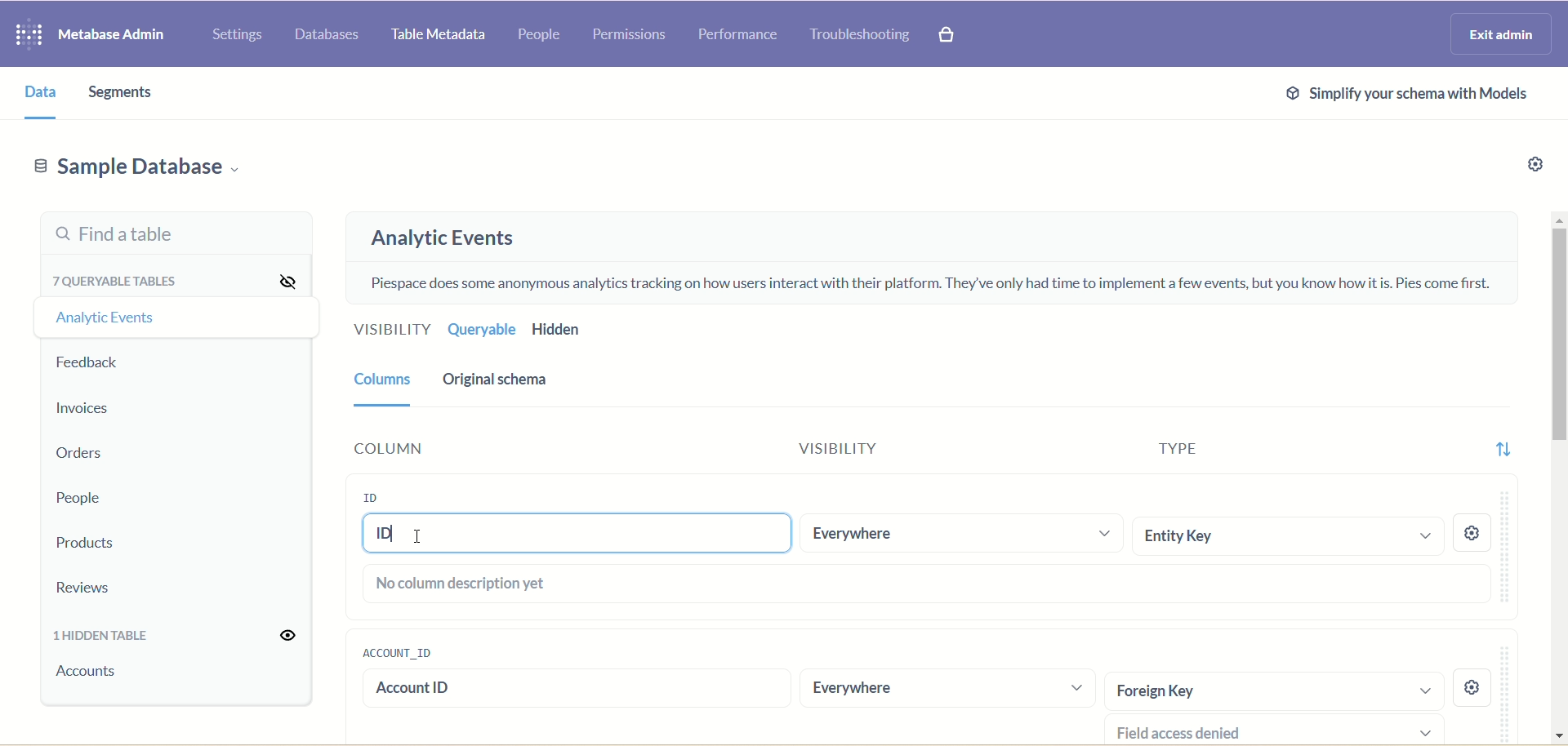 This screenshot has height=746, width=1568. I want to click on Foreign Key, so click(1270, 690).